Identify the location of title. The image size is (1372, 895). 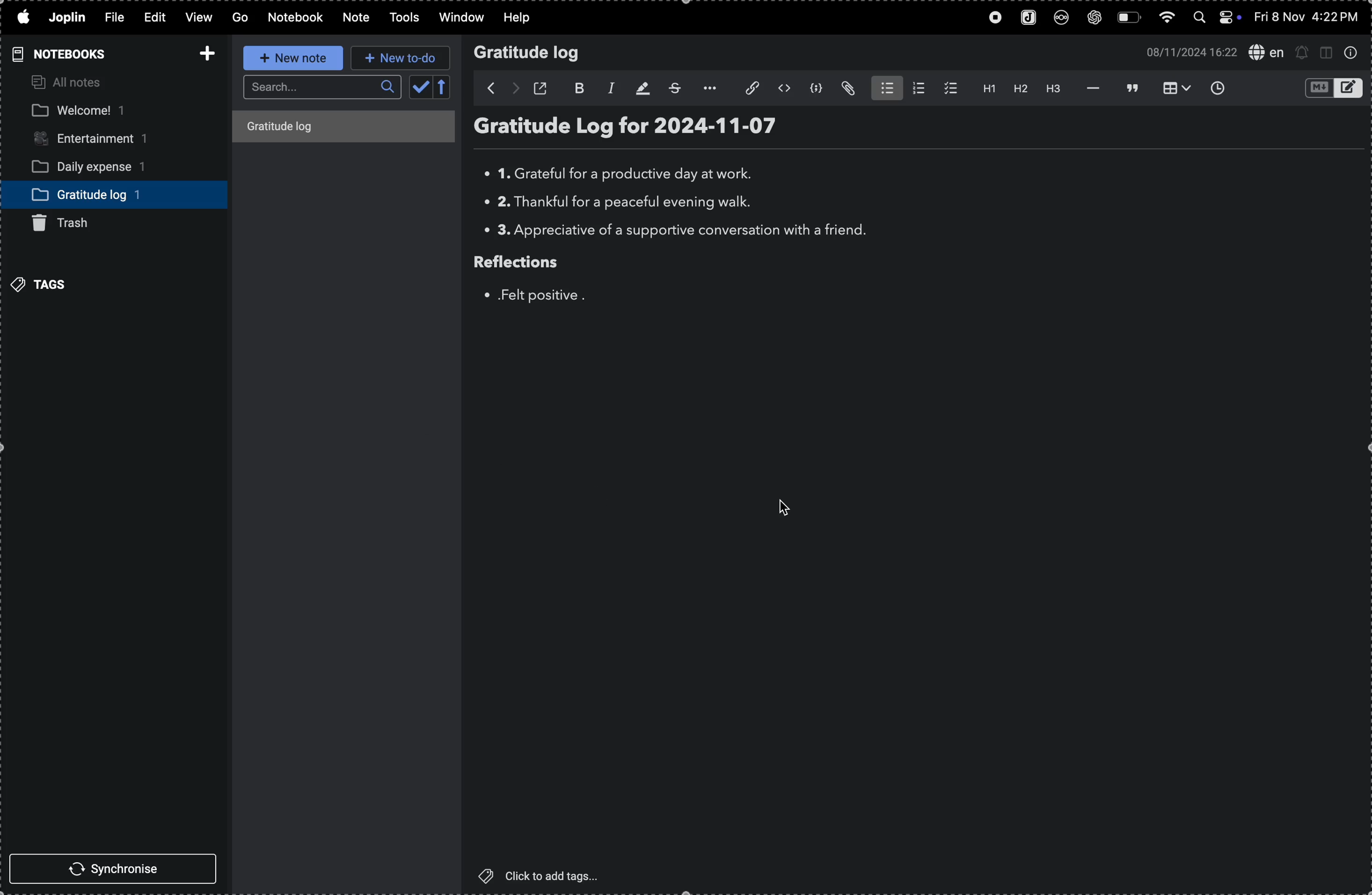
(554, 130).